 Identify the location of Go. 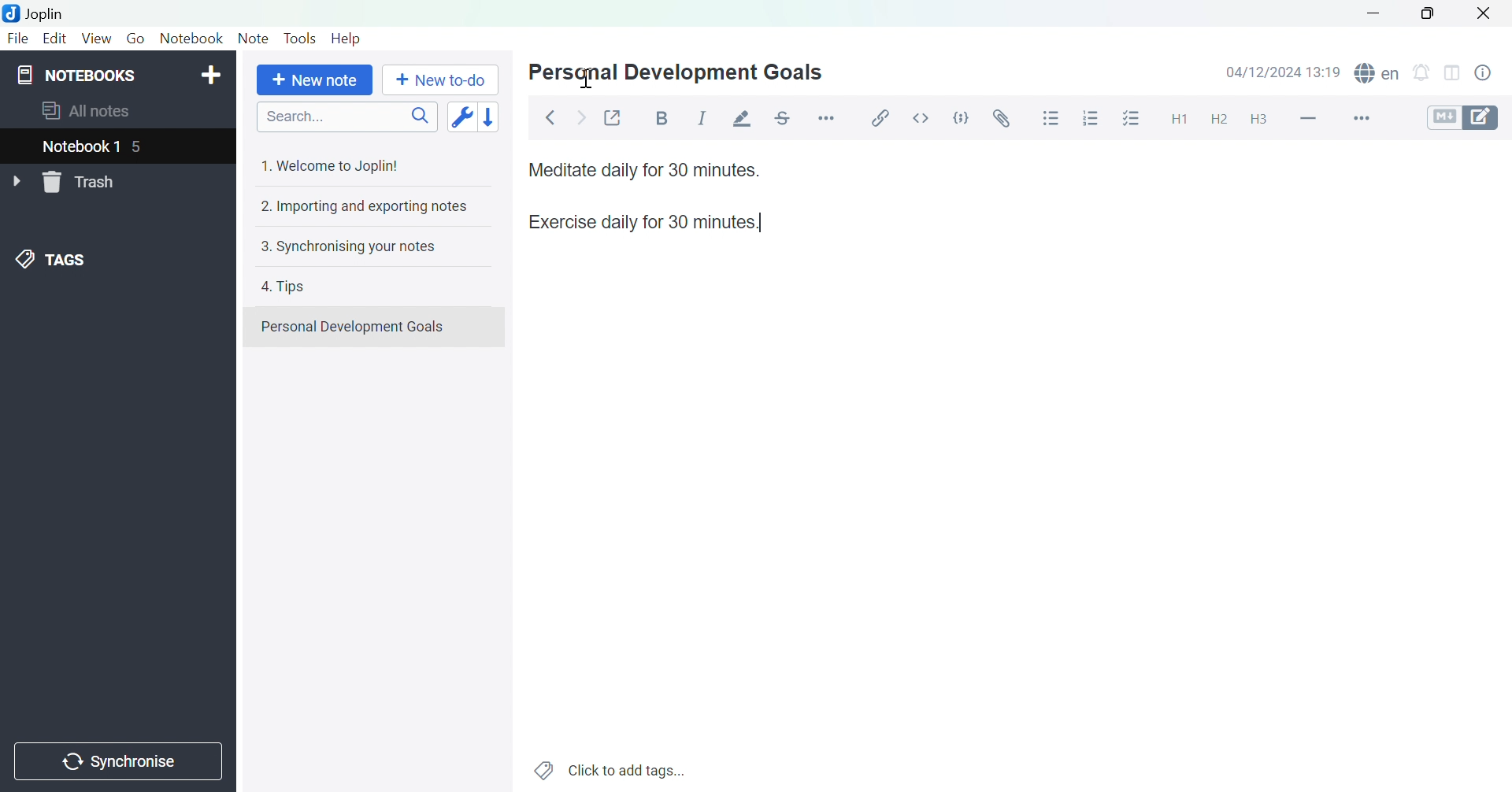
(135, 39).